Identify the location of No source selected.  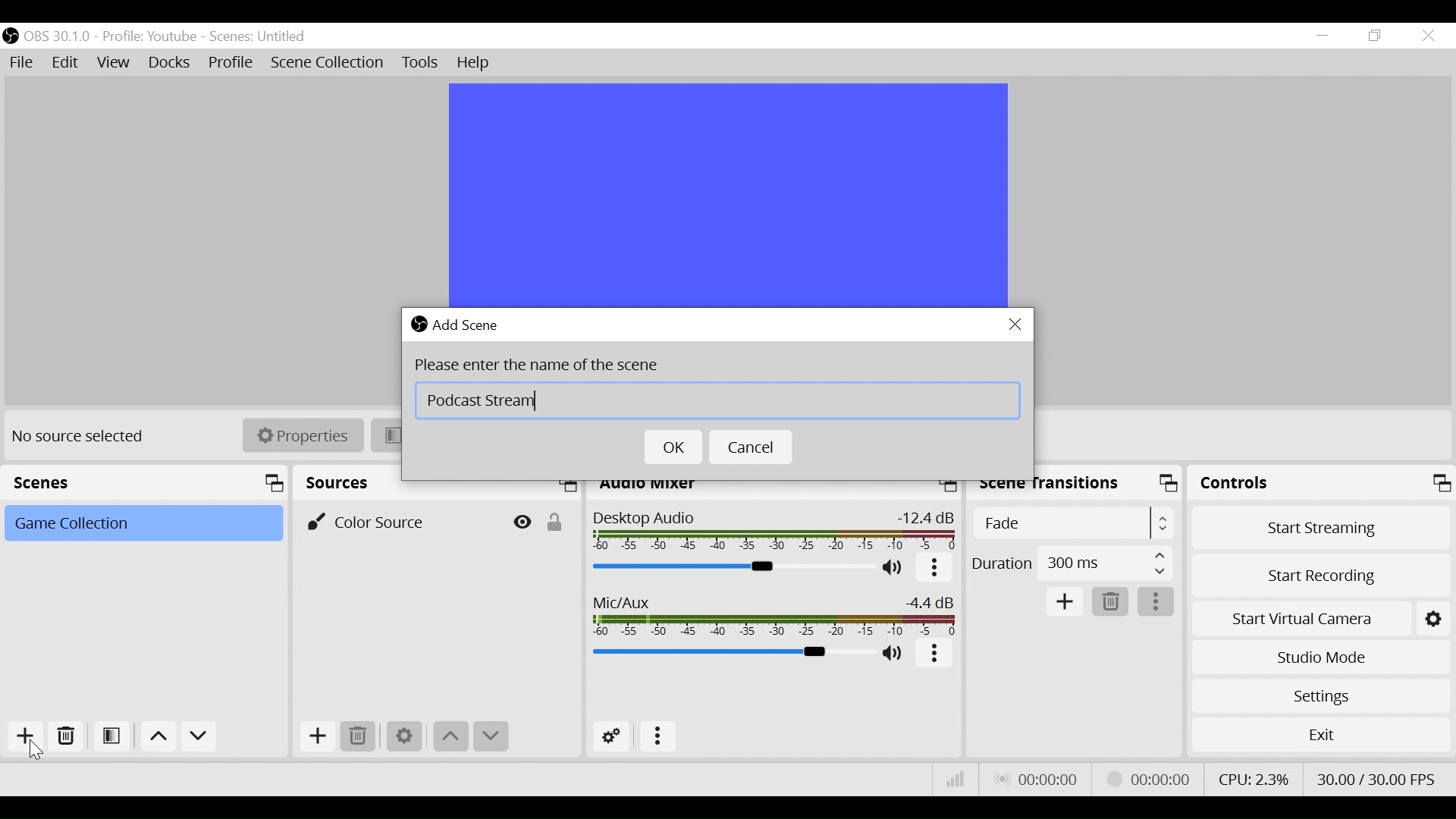
(83, 436).